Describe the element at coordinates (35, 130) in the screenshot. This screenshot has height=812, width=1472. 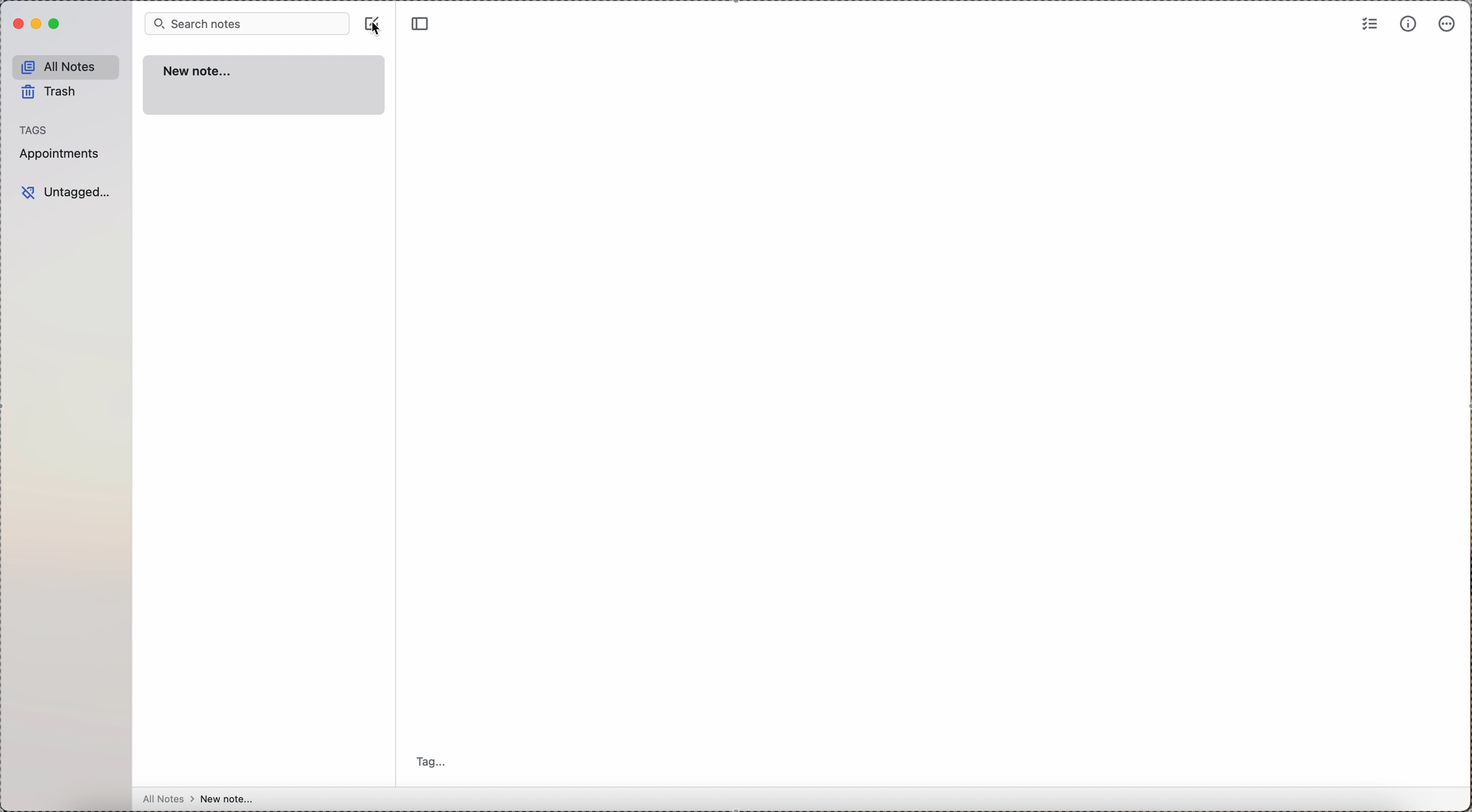
I see `tags` at that location.